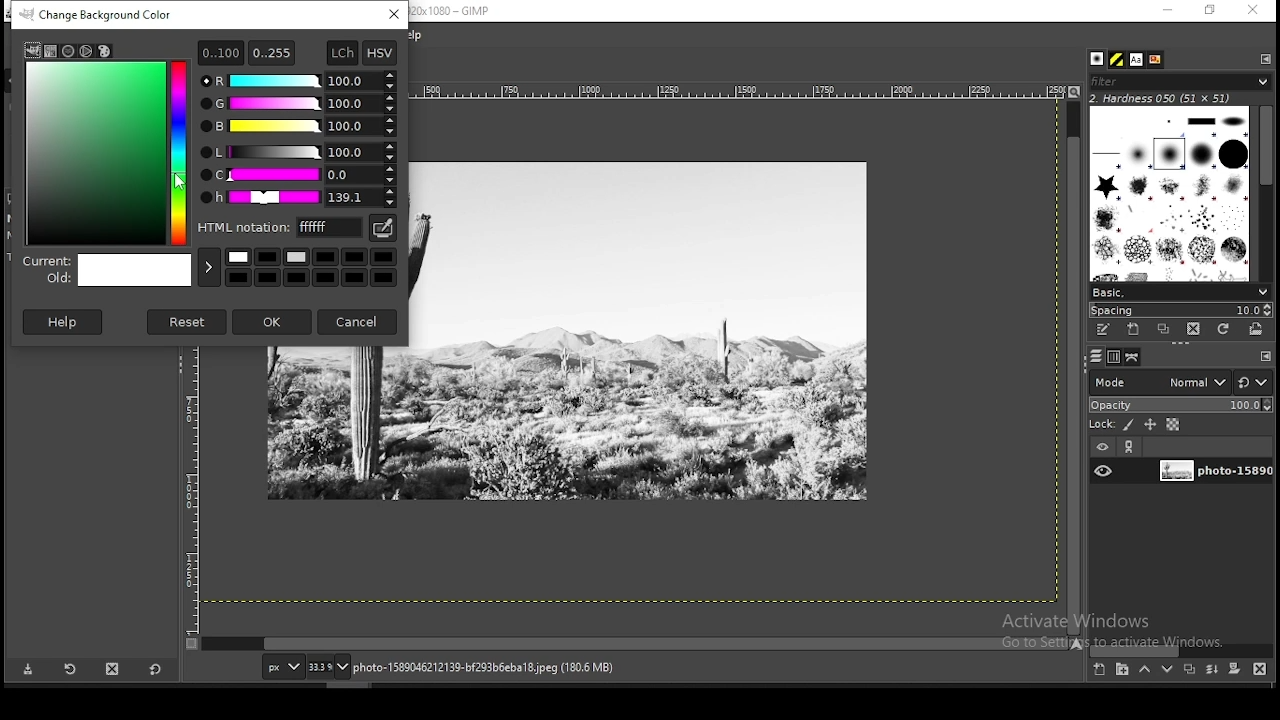 This screenshot has width=1280, height=720. What do you see at coordinates (220, 52) in the screenshot?
I see `0..100` at bounding box center [220, 52].